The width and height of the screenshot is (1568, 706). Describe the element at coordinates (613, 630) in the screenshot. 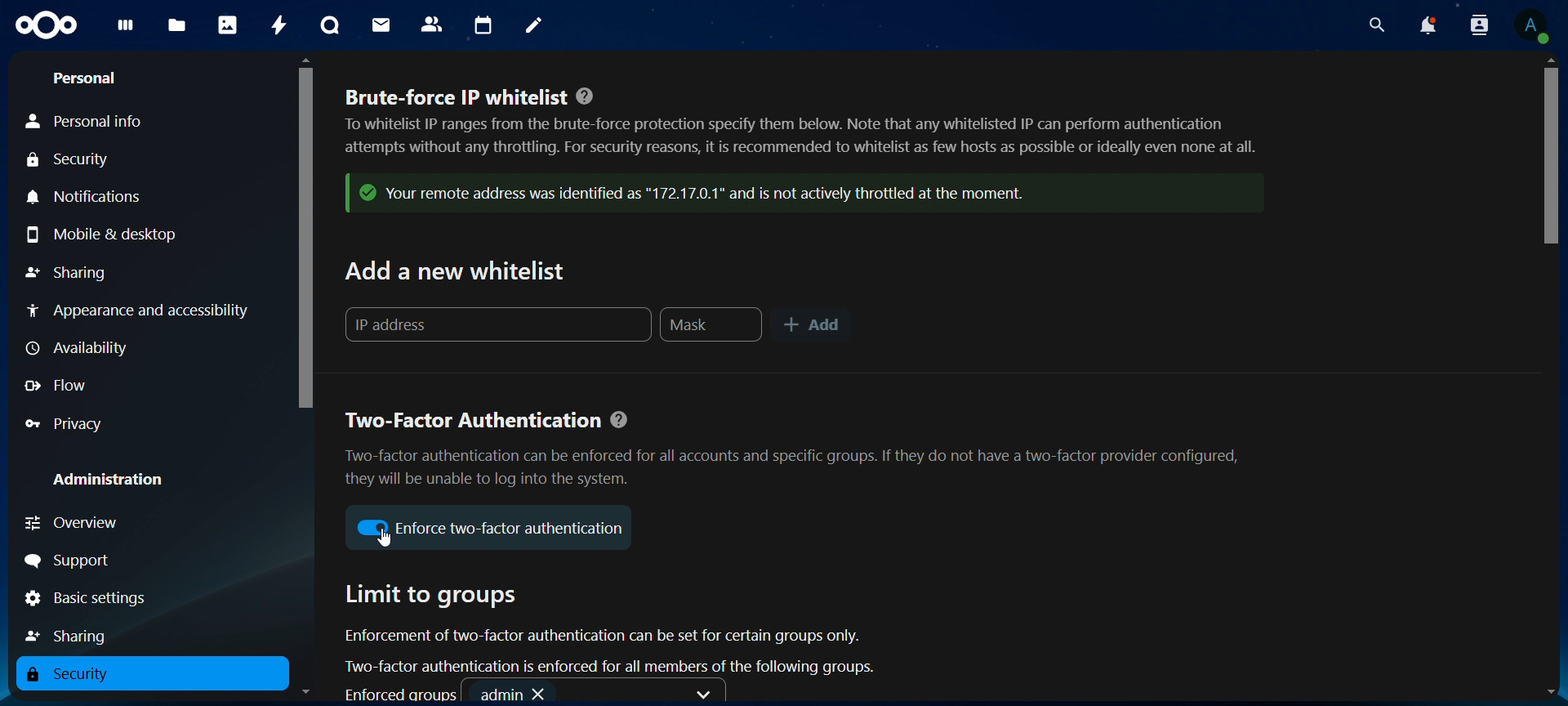

I see `limit to groups` at that location.